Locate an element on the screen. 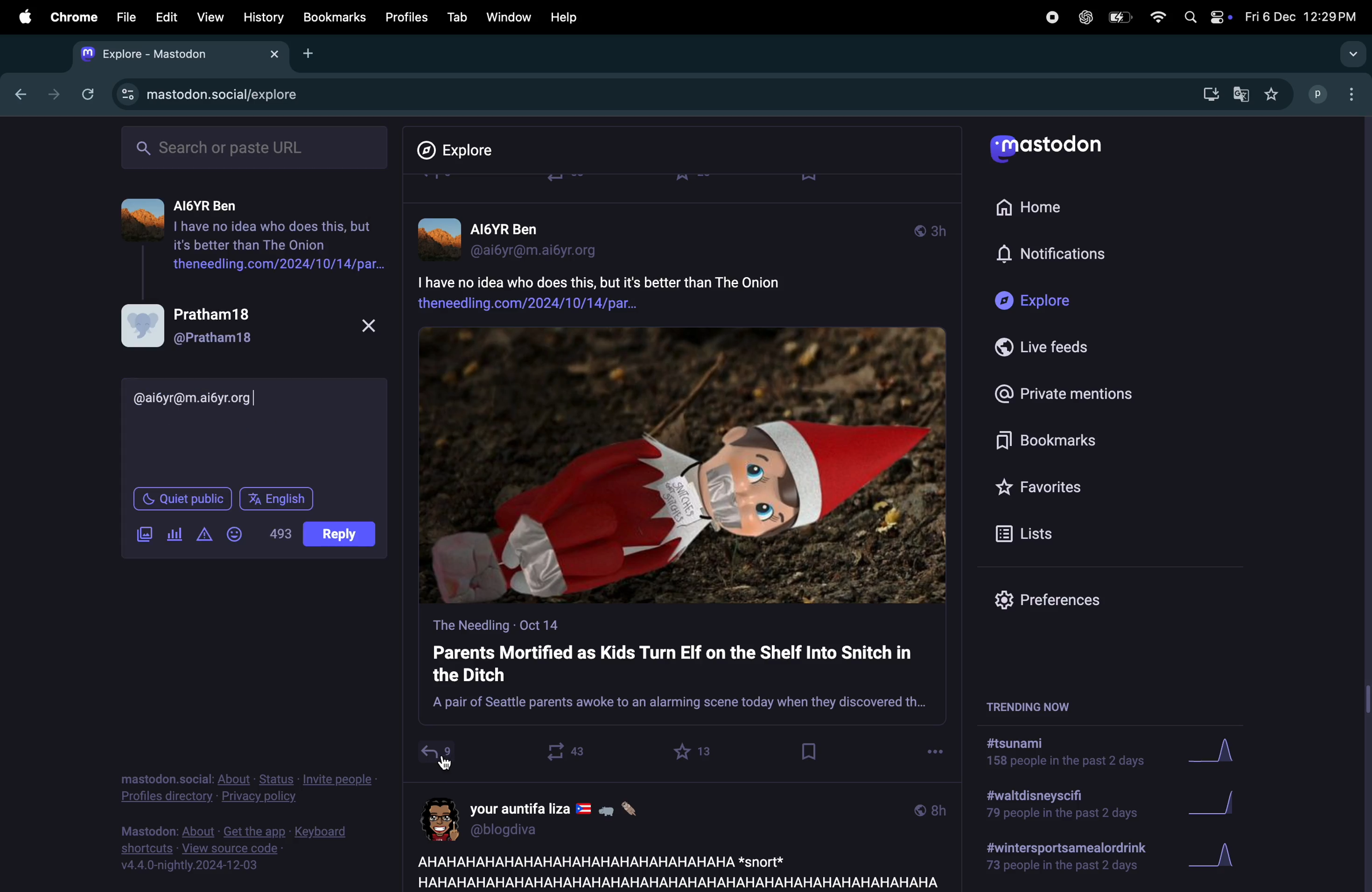  options is located at coordinates (935, 749).